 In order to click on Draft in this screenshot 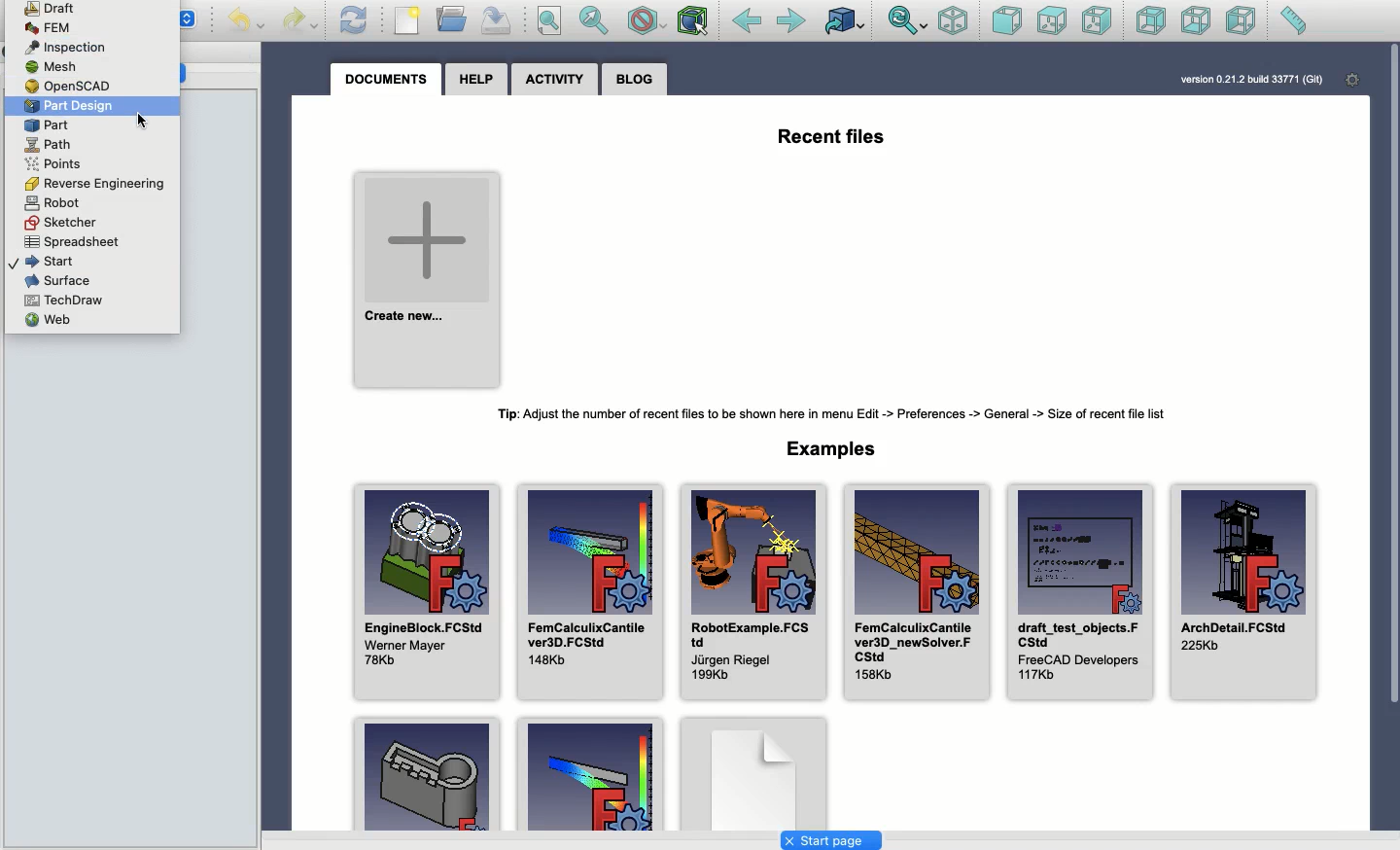, I will do `click(52, 10)`.